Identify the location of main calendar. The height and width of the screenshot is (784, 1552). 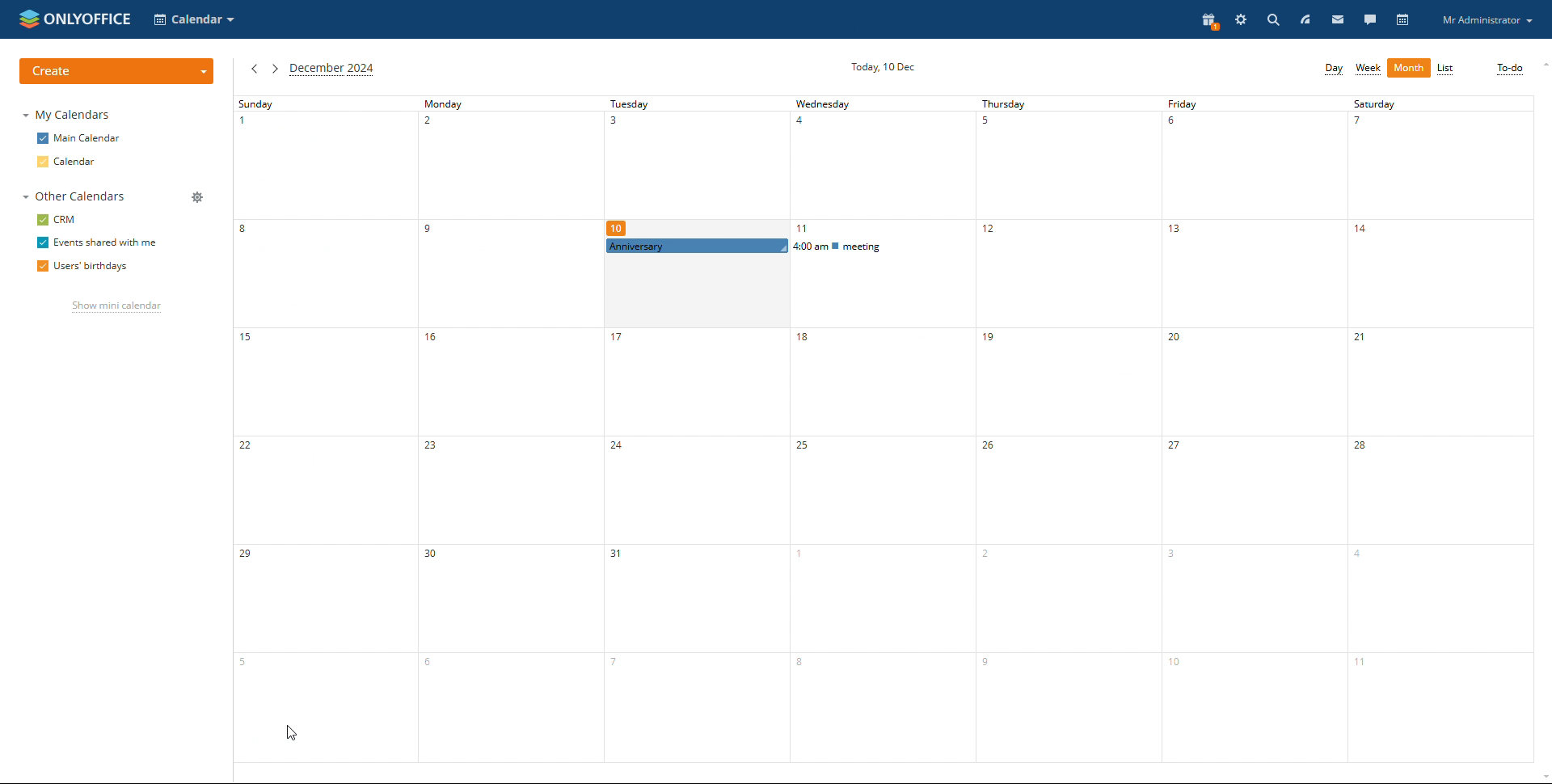
(78, 139).